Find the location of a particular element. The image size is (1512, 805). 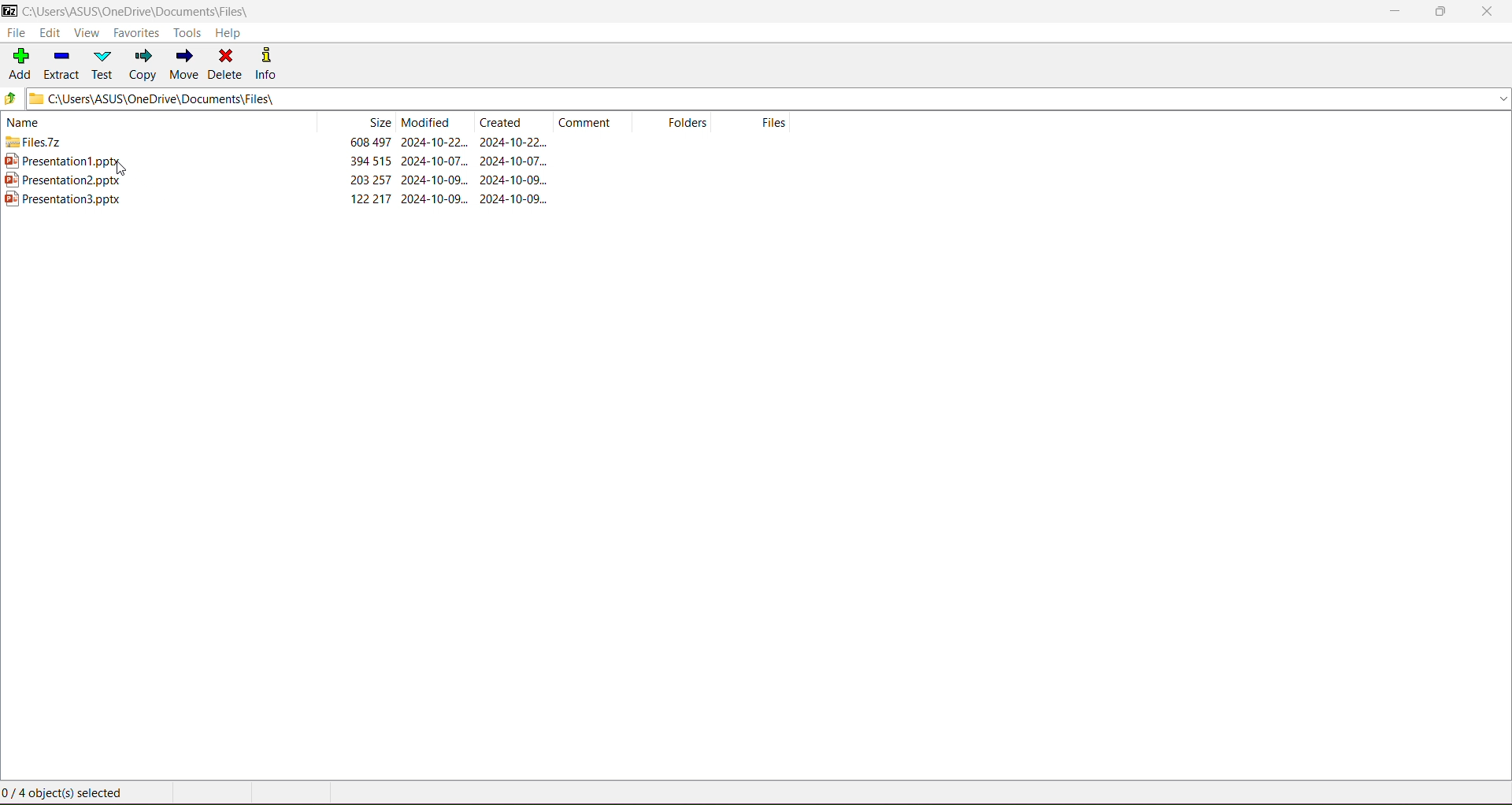

presentation1.pptx is located at coordinates (61, 160).